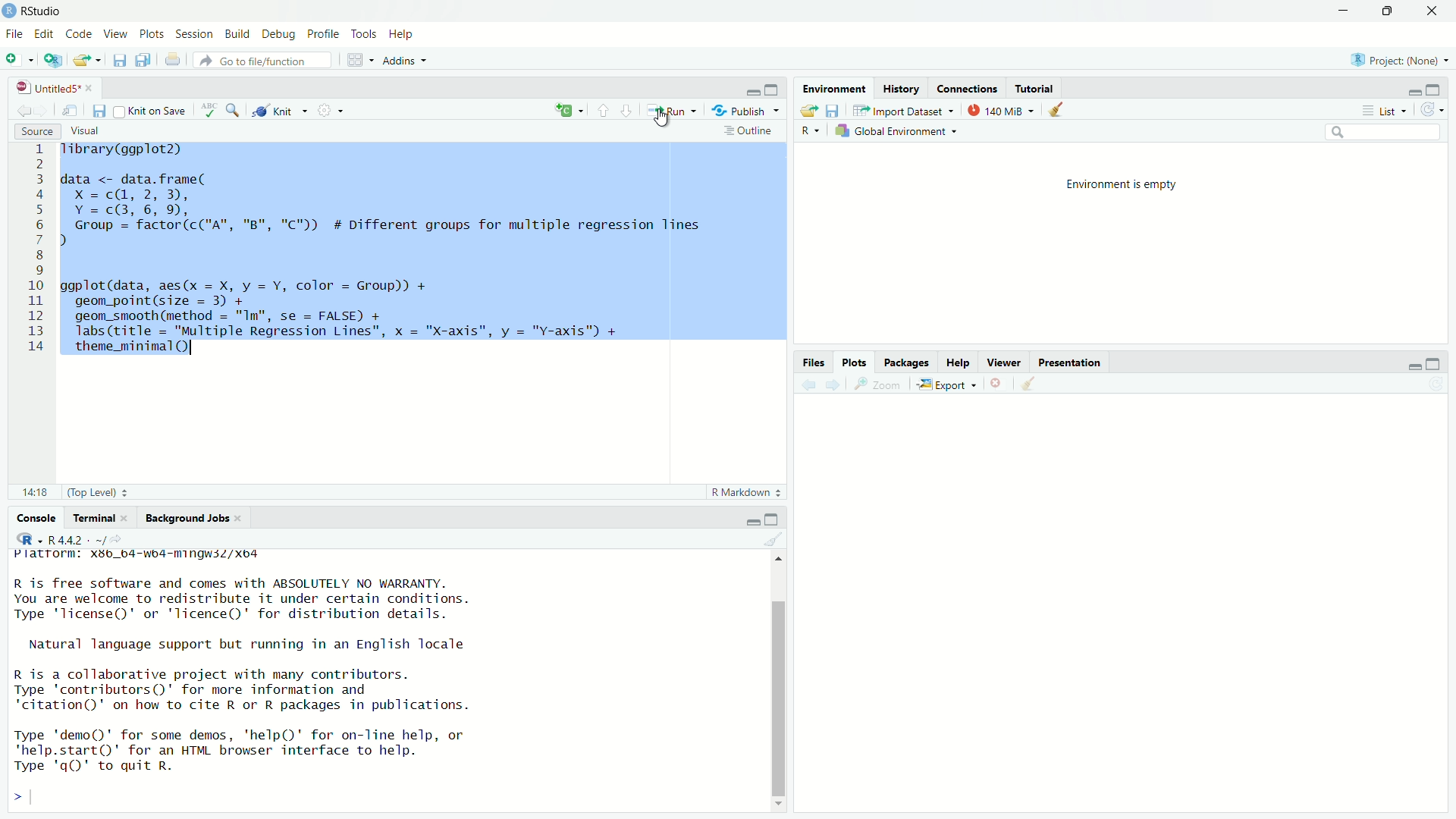 The width and height of the screenshot is (1456, 819). What do you see at coordinates (85, 62) in the screenshot?
I see `export` at bounding box center [85, 62].